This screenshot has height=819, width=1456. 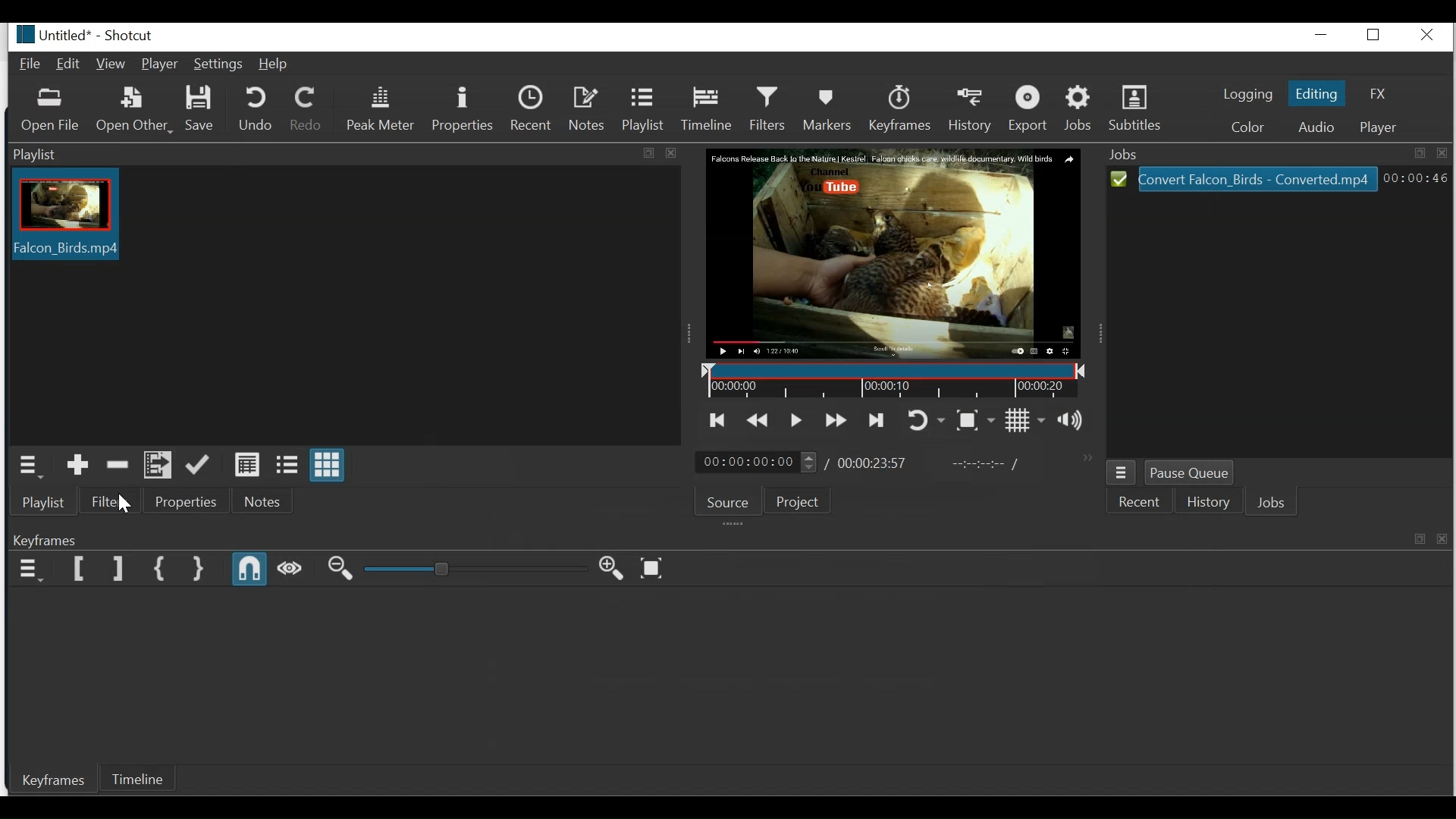 I want to click on Close, so click(x=1430, y=36).